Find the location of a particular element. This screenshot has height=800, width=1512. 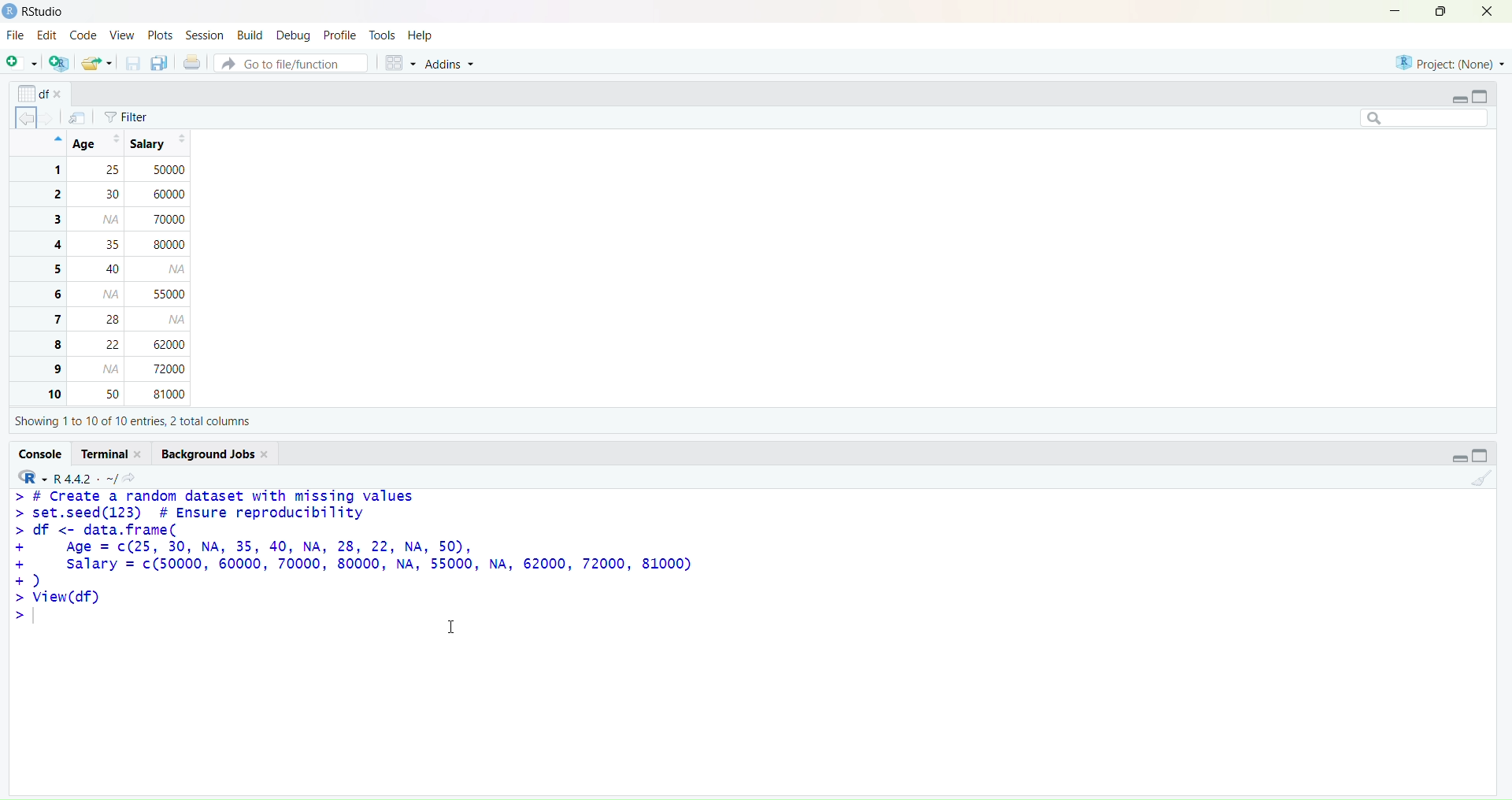

text cursor is located at coordinates (35, 620).